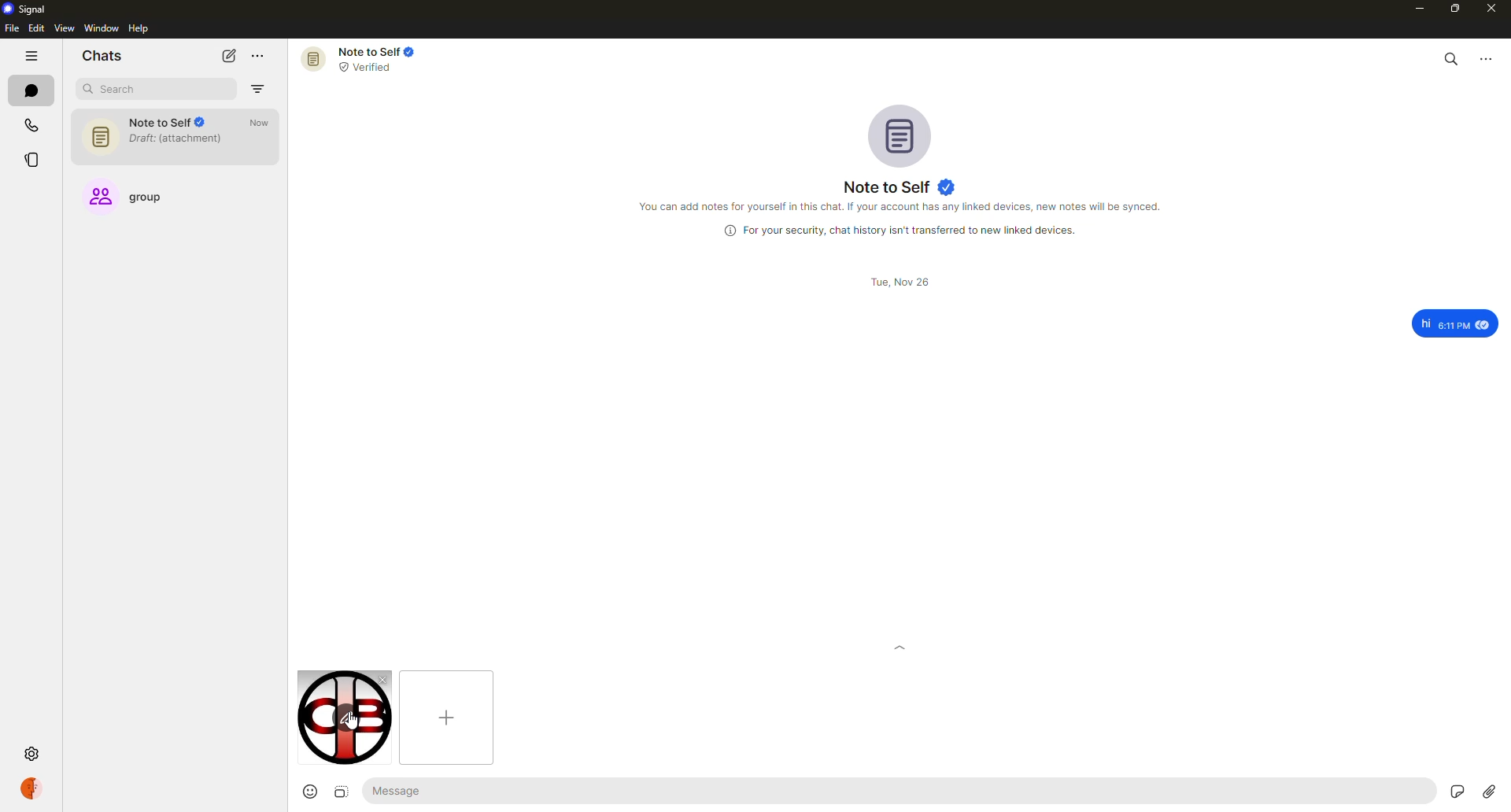  Describe the element at coordinates (1490, 791) in the screenshot. I see `attach` at that location.